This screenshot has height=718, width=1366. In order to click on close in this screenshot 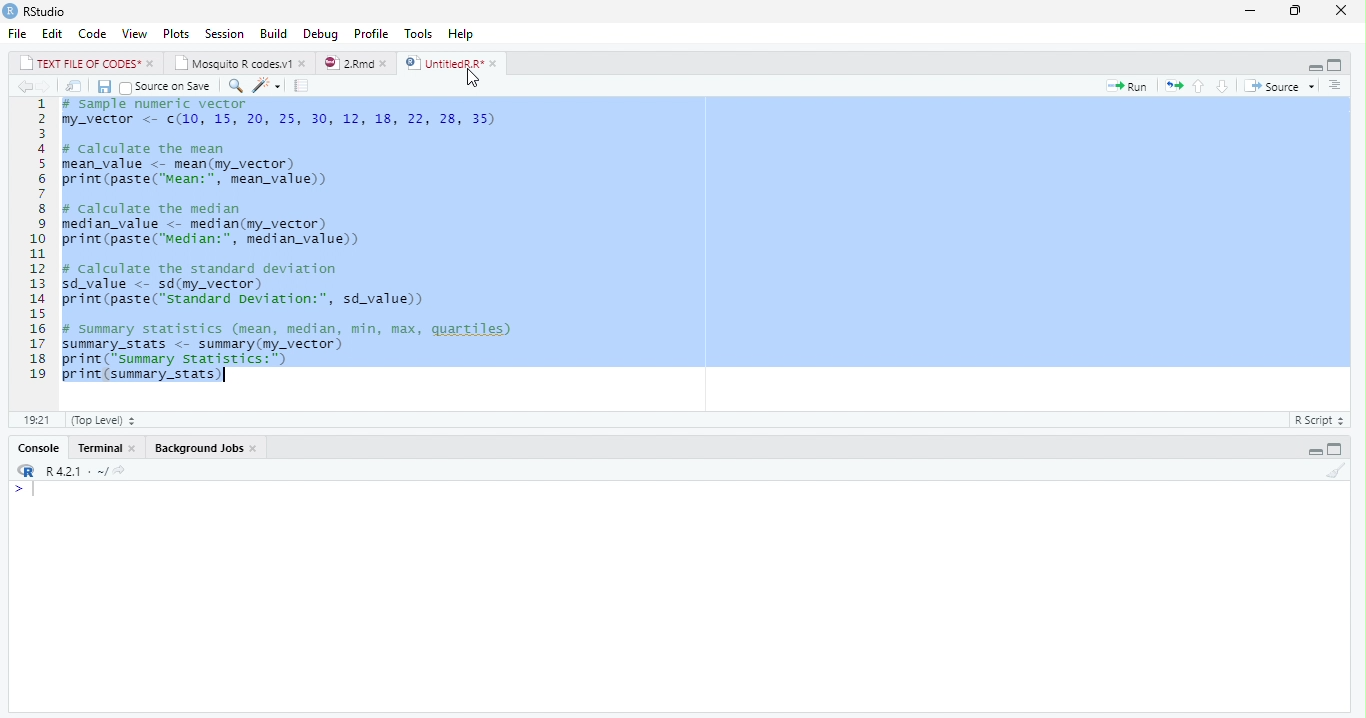, I will do `click(152, 64)`.